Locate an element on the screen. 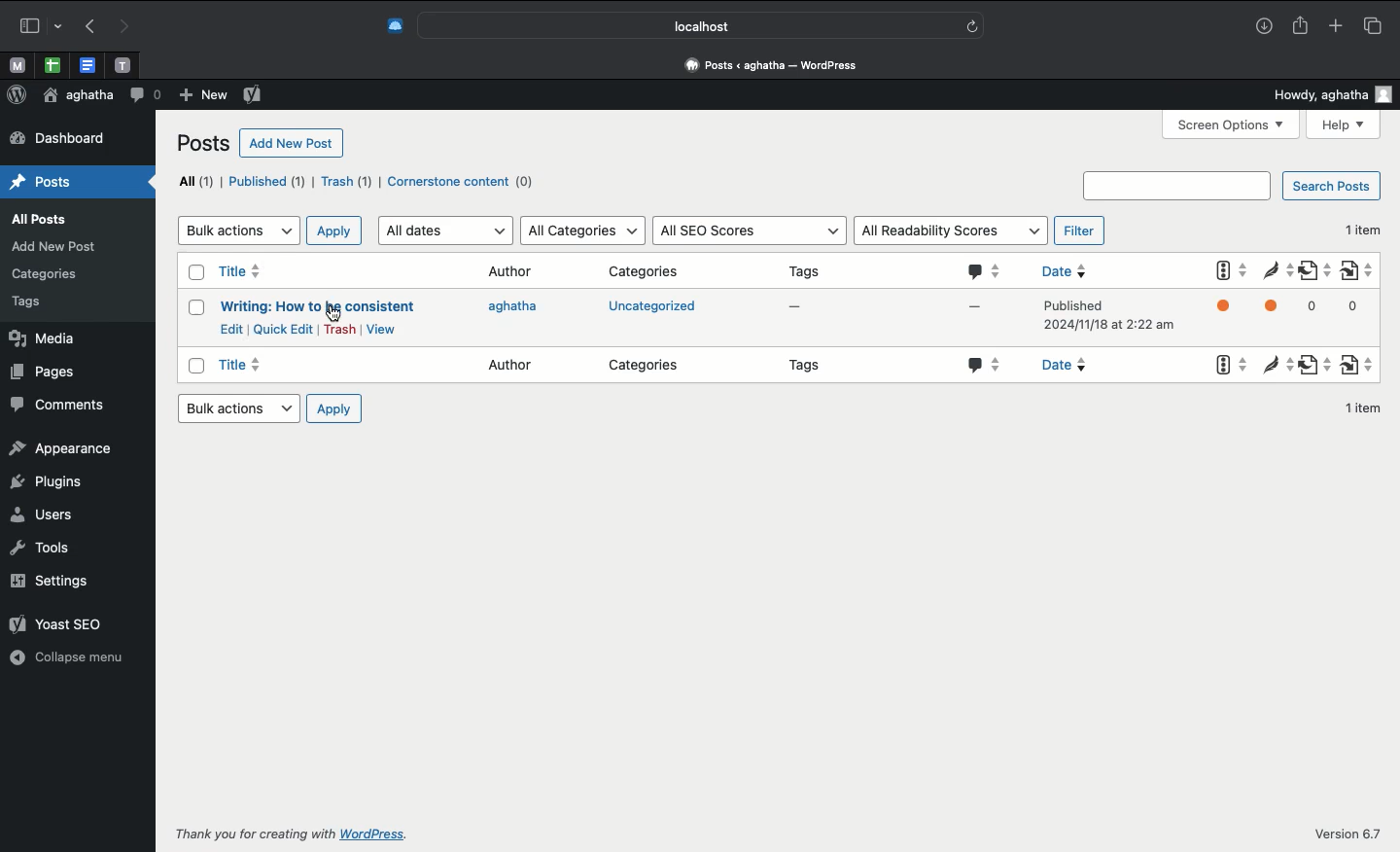  add new post is located at coordinates (52, 247).